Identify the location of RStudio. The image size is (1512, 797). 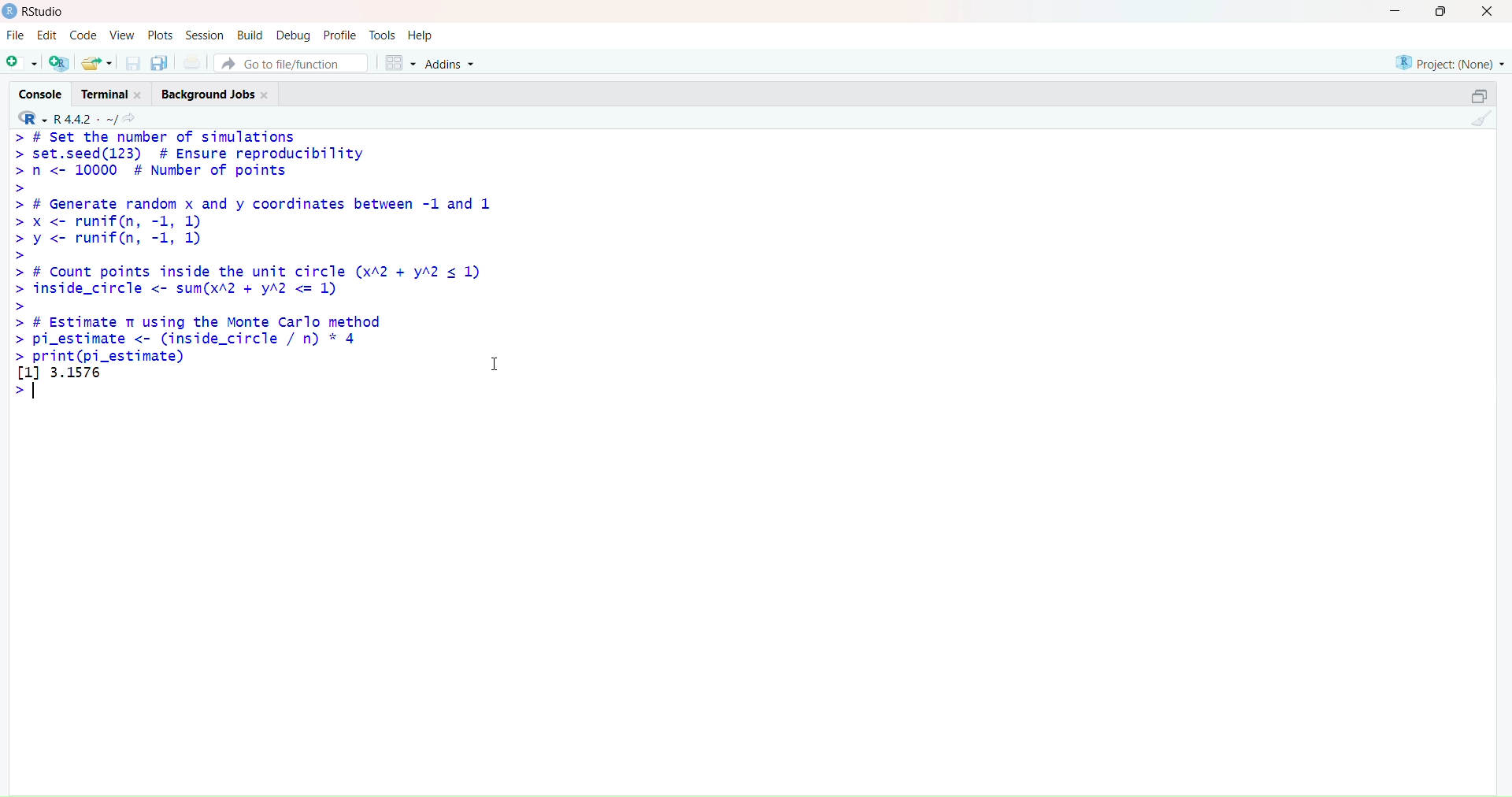
(39, 13).